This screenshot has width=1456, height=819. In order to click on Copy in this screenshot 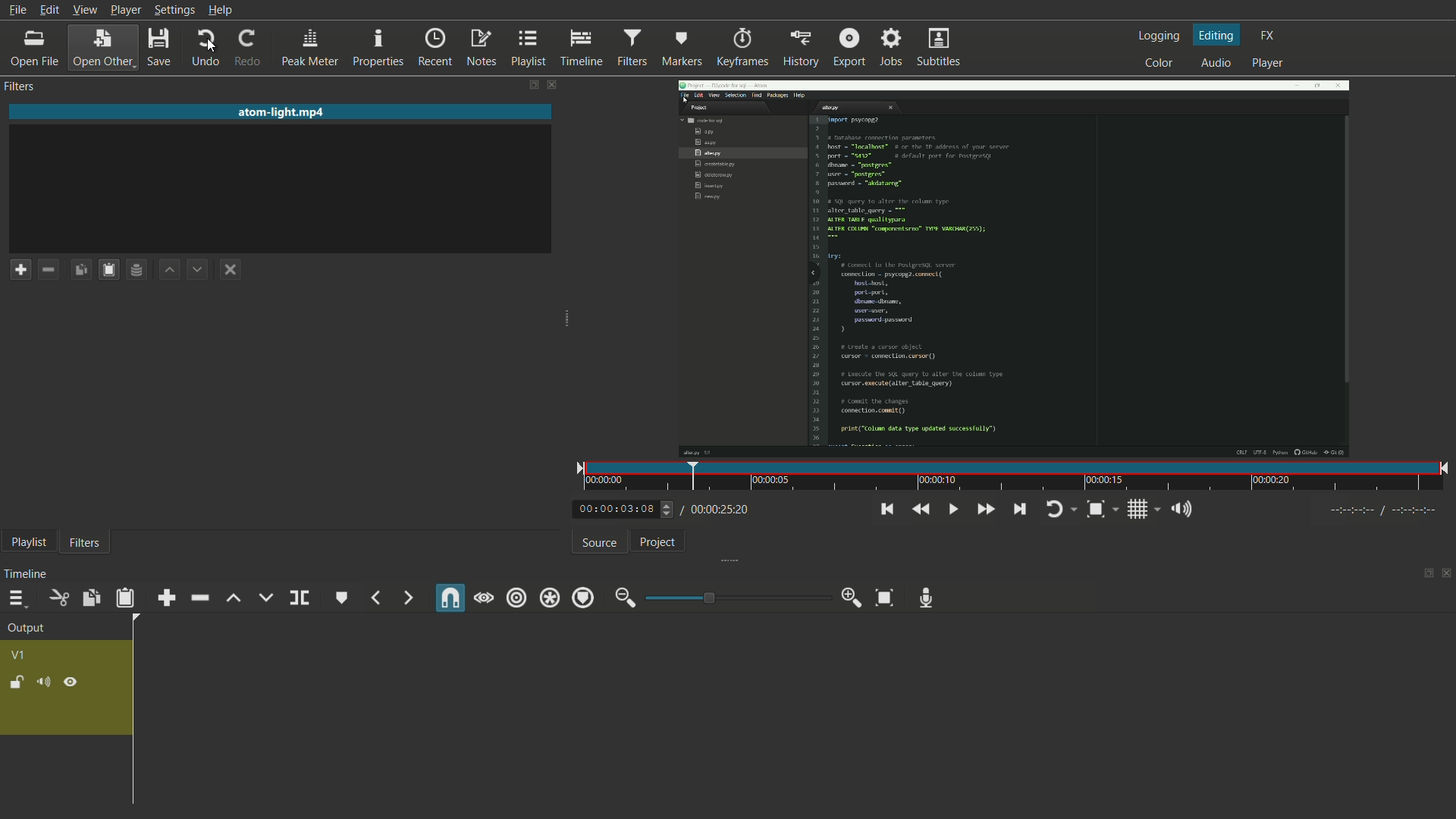, I will do `click(78, 268)`.